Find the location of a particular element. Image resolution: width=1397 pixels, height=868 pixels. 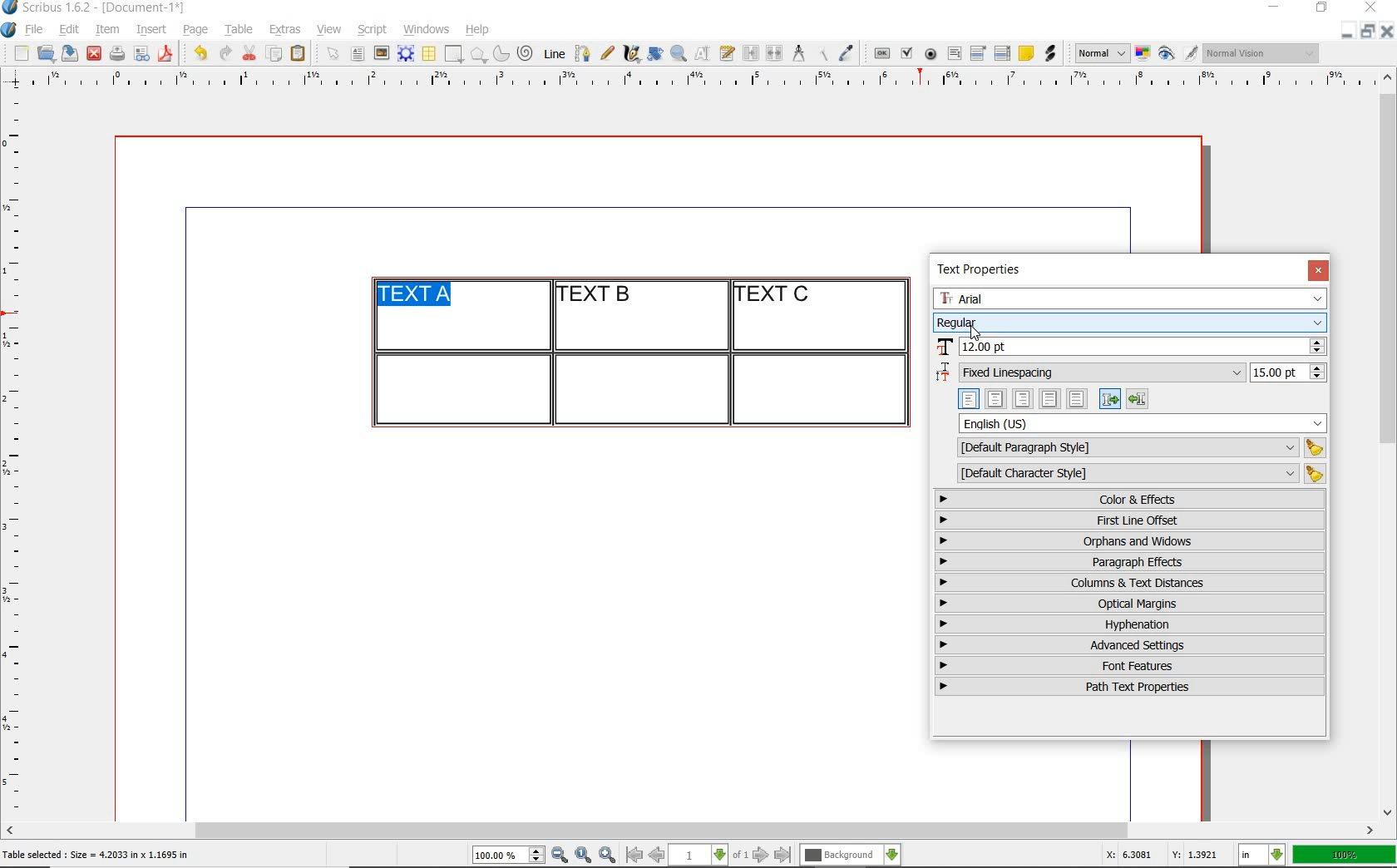

calligraphic line is located at coordinates (633, 53).